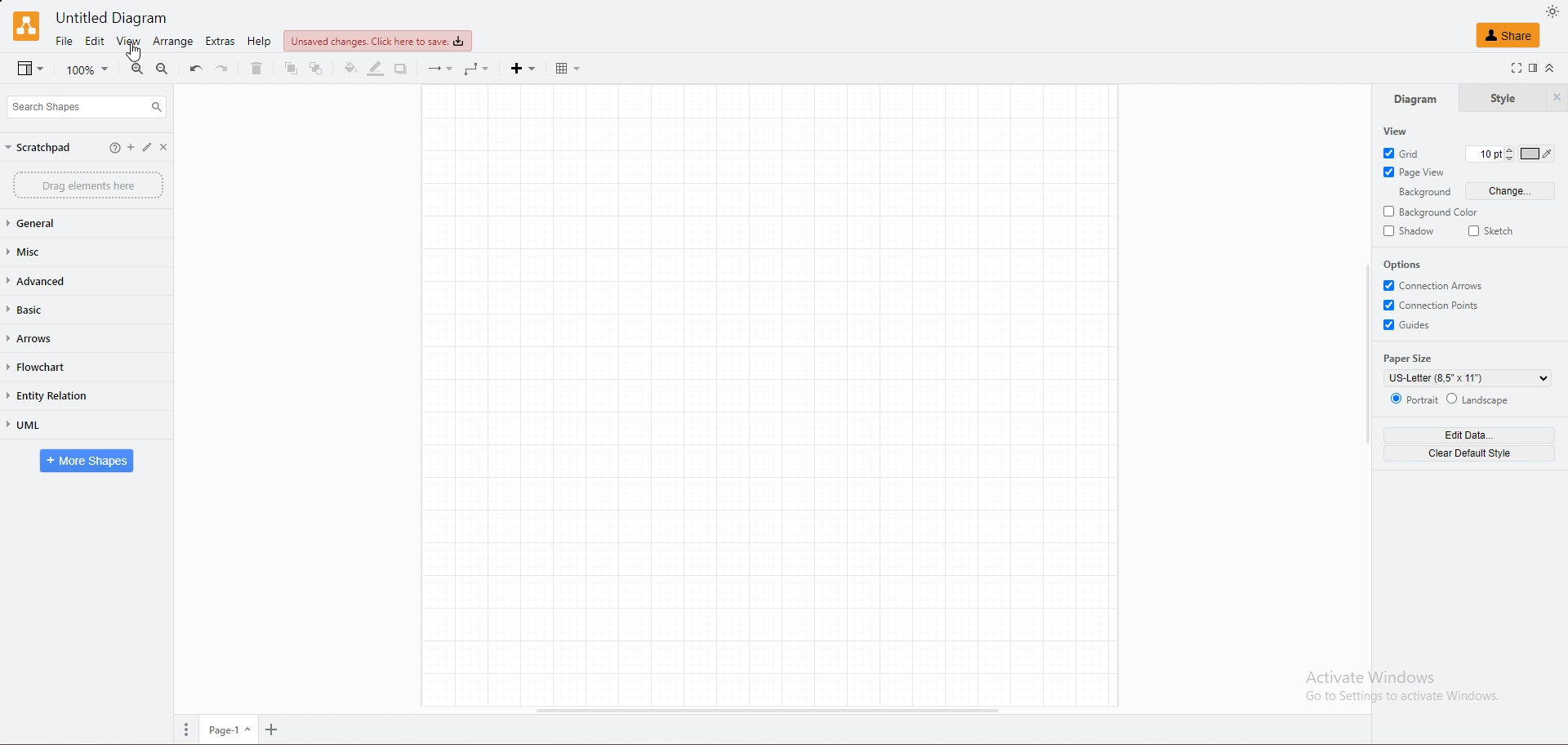  I want to click on format, so click(1534, 69).